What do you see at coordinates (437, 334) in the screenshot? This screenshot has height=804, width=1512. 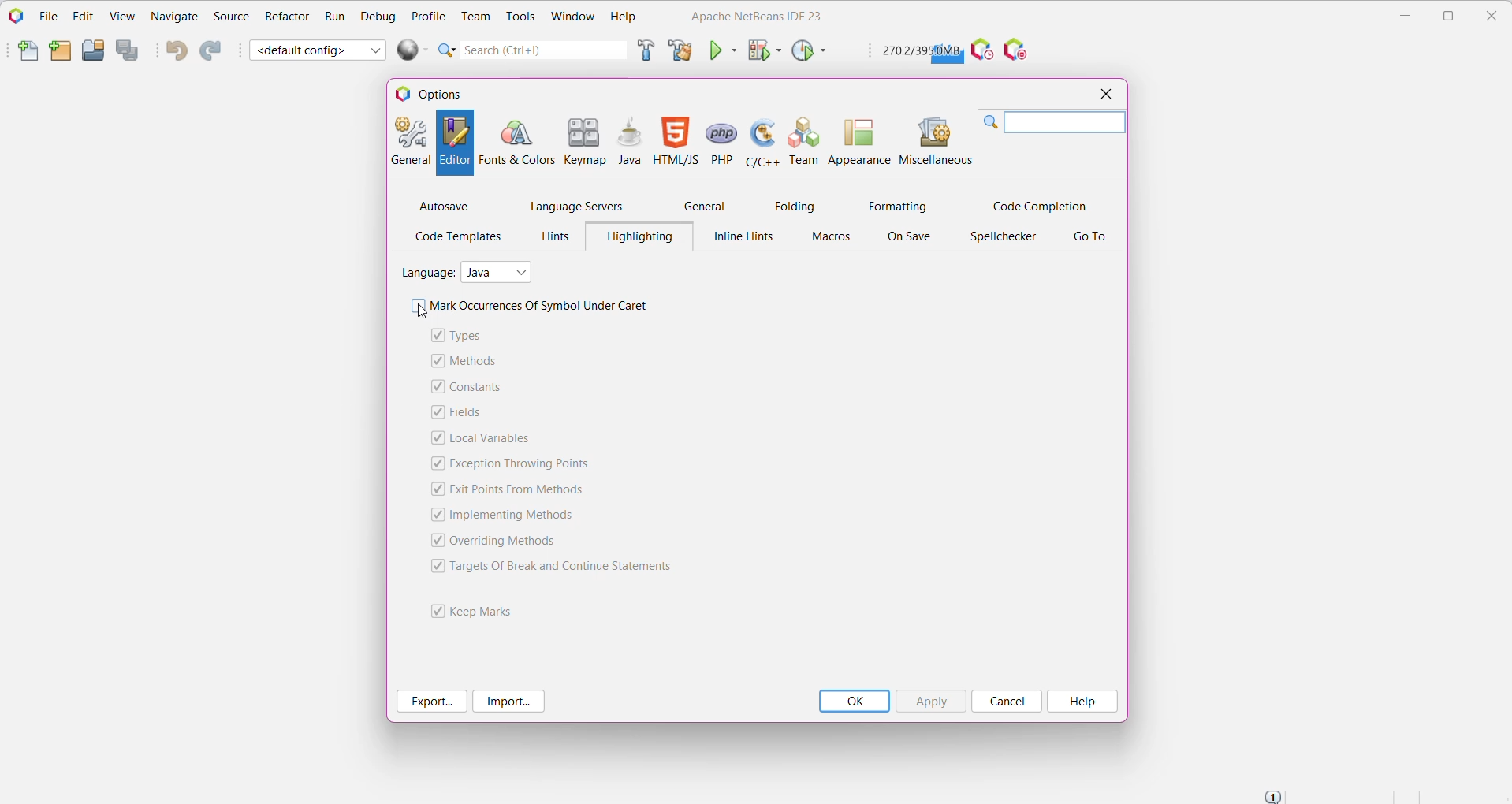 I see `checkbox` at bounding box center [437, 334].